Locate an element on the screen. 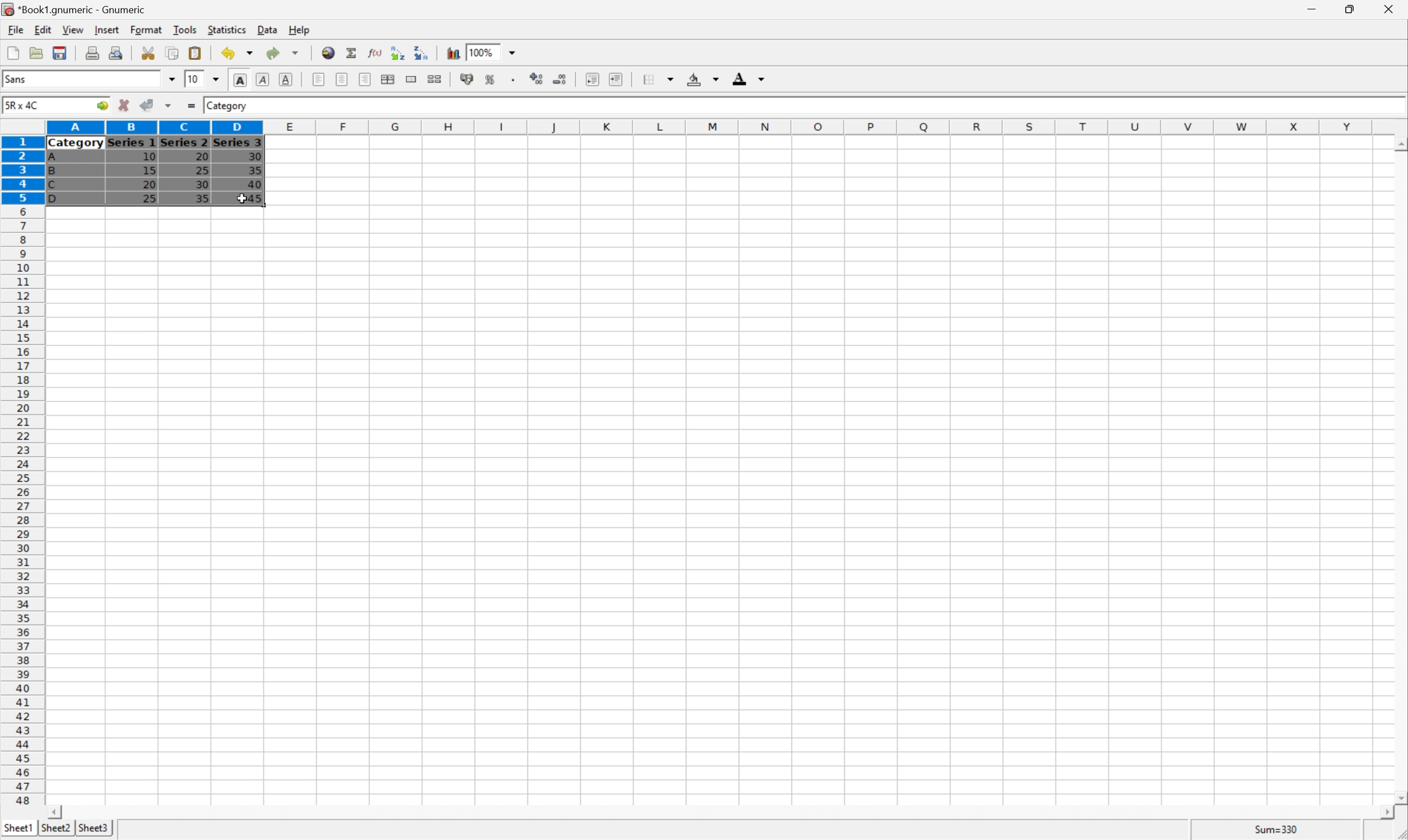 Image resolution: width=1408 pixels, height=840 pixels. 15 is located at coordinates (149, 170).